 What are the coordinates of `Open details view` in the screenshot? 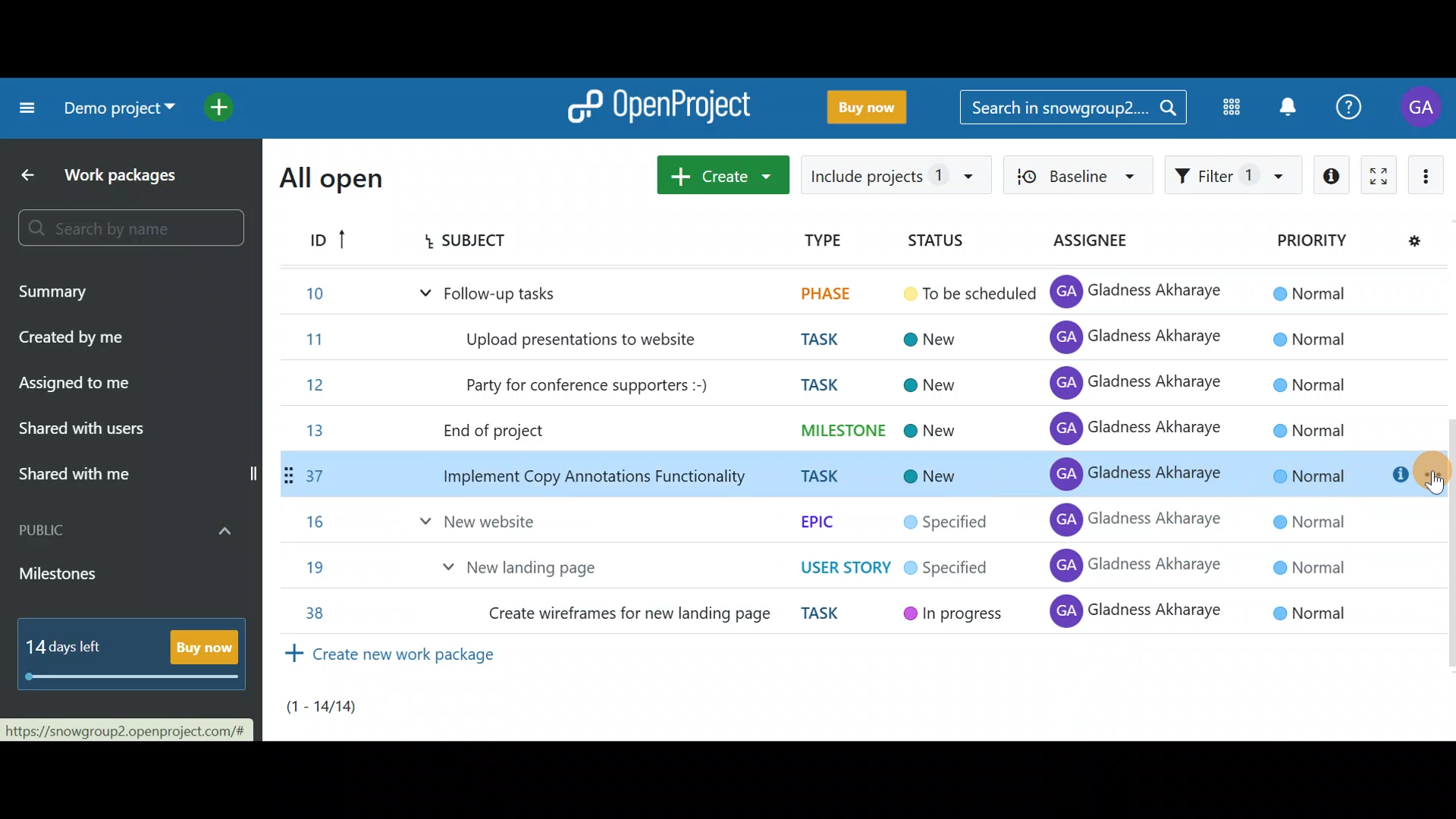 It's located at (1330, 171).